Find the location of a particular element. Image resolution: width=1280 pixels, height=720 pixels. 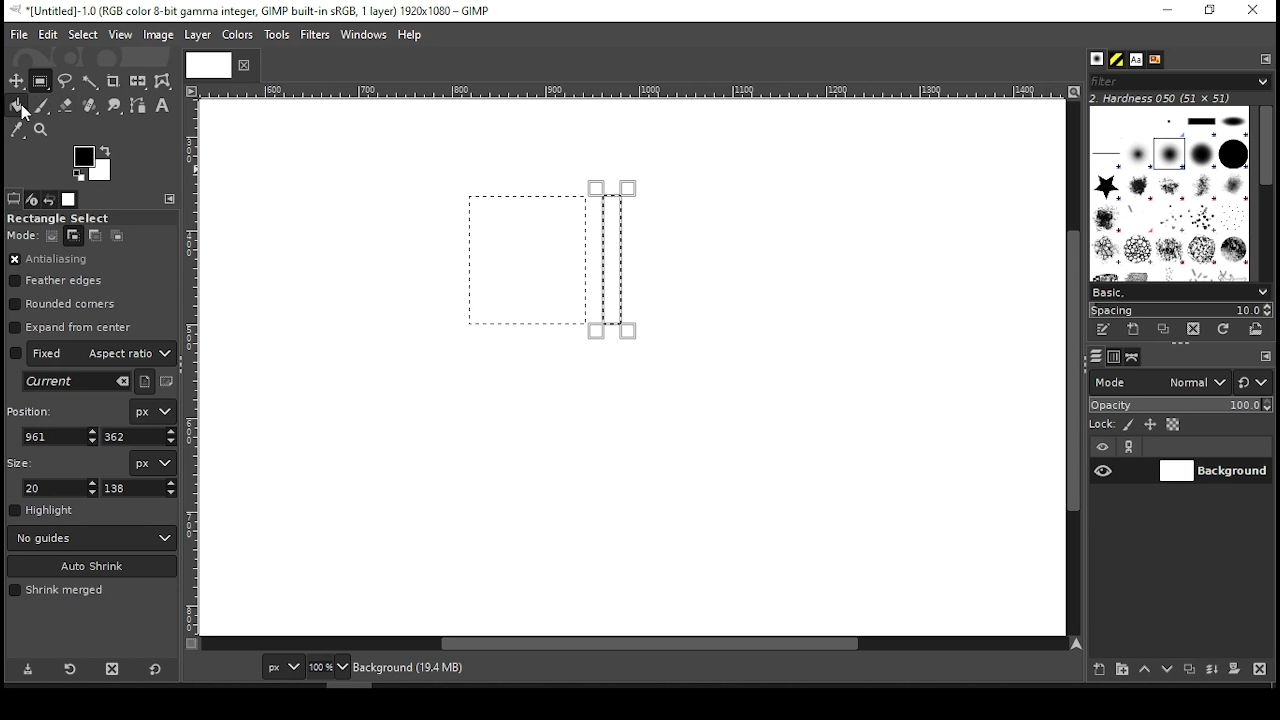

scroll bar is located at coordinates (1265, 192).